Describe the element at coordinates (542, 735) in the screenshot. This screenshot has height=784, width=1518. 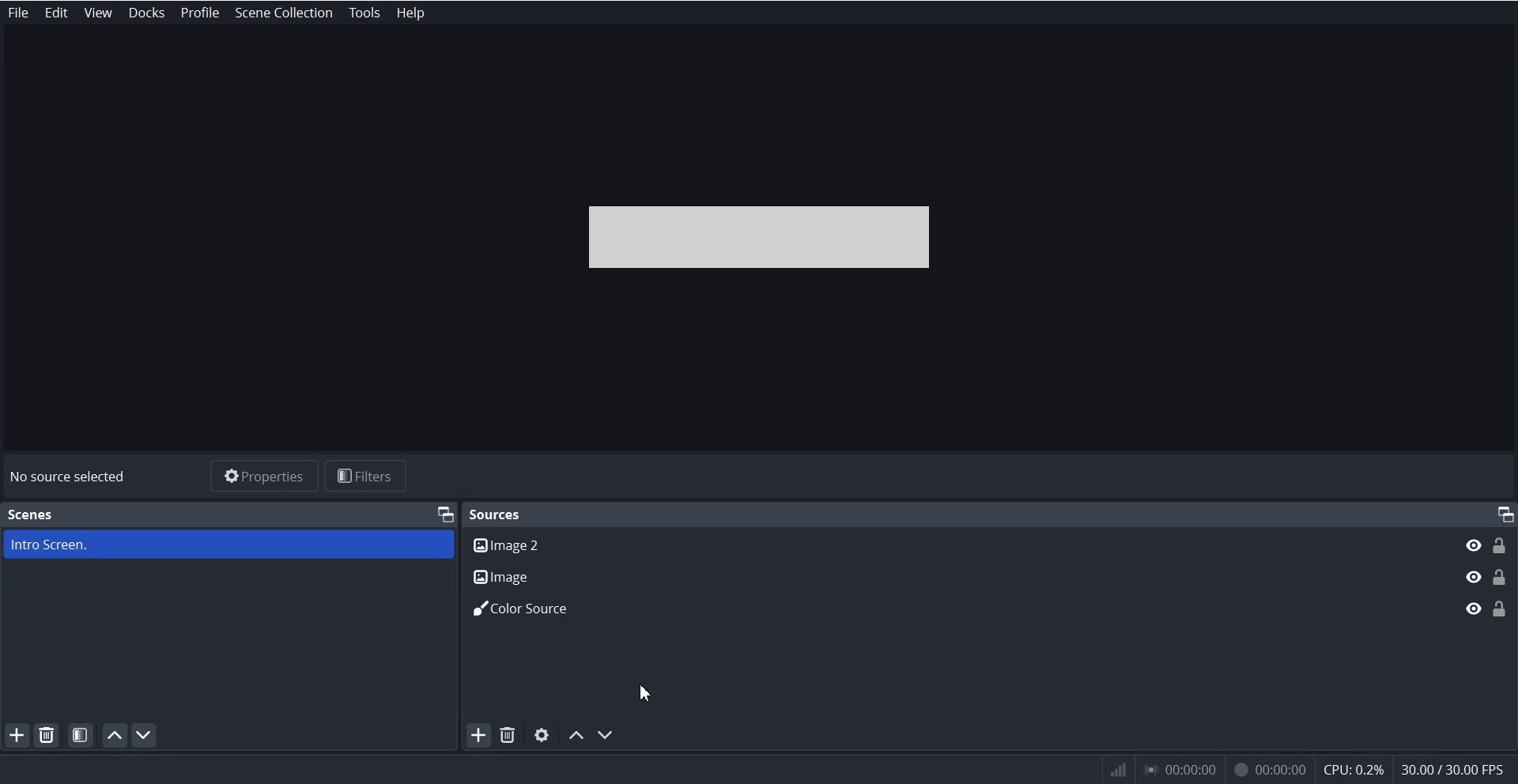
I see `Open source properties` at that location.